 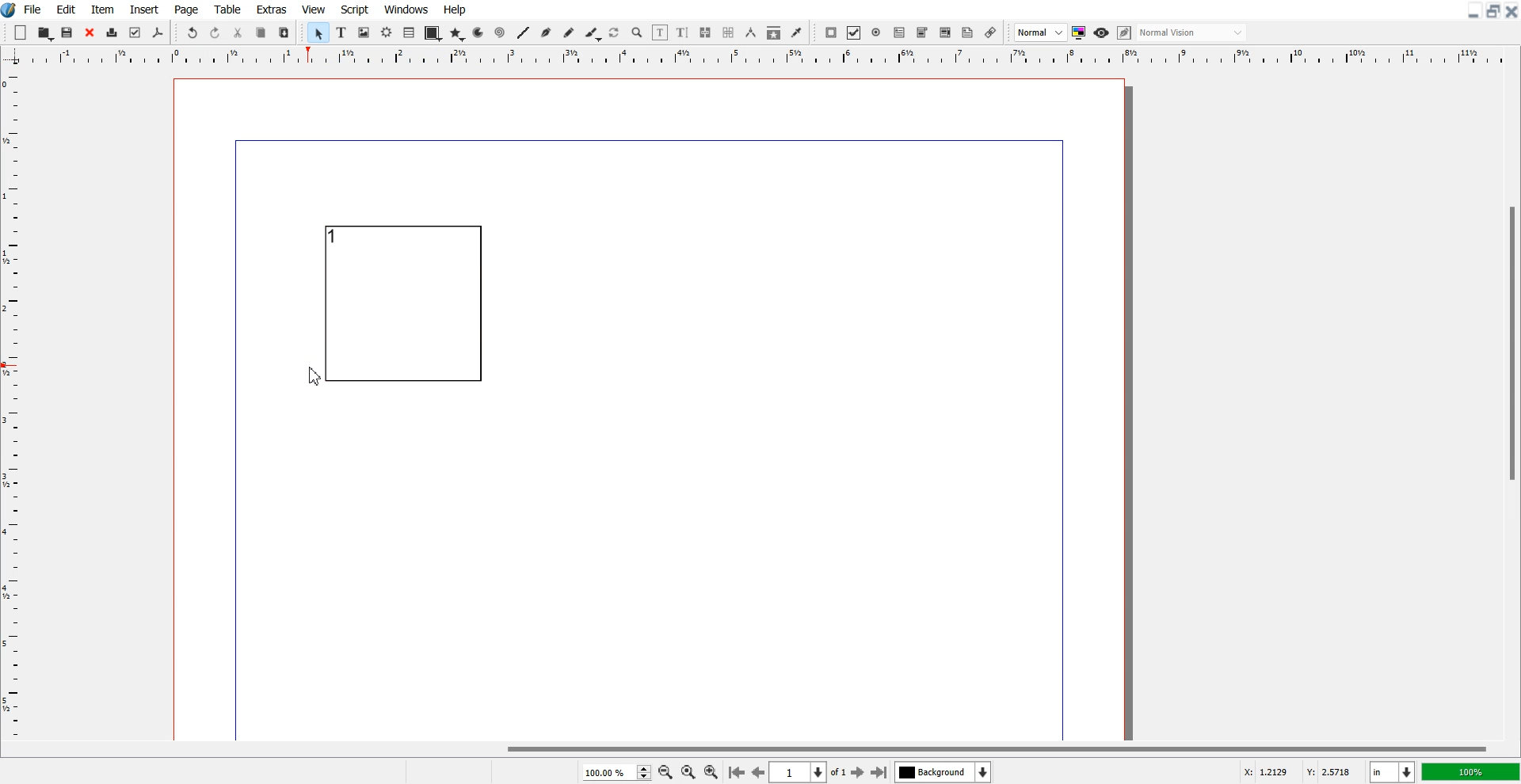 I want to click on Line, so click(x=523, y=32).